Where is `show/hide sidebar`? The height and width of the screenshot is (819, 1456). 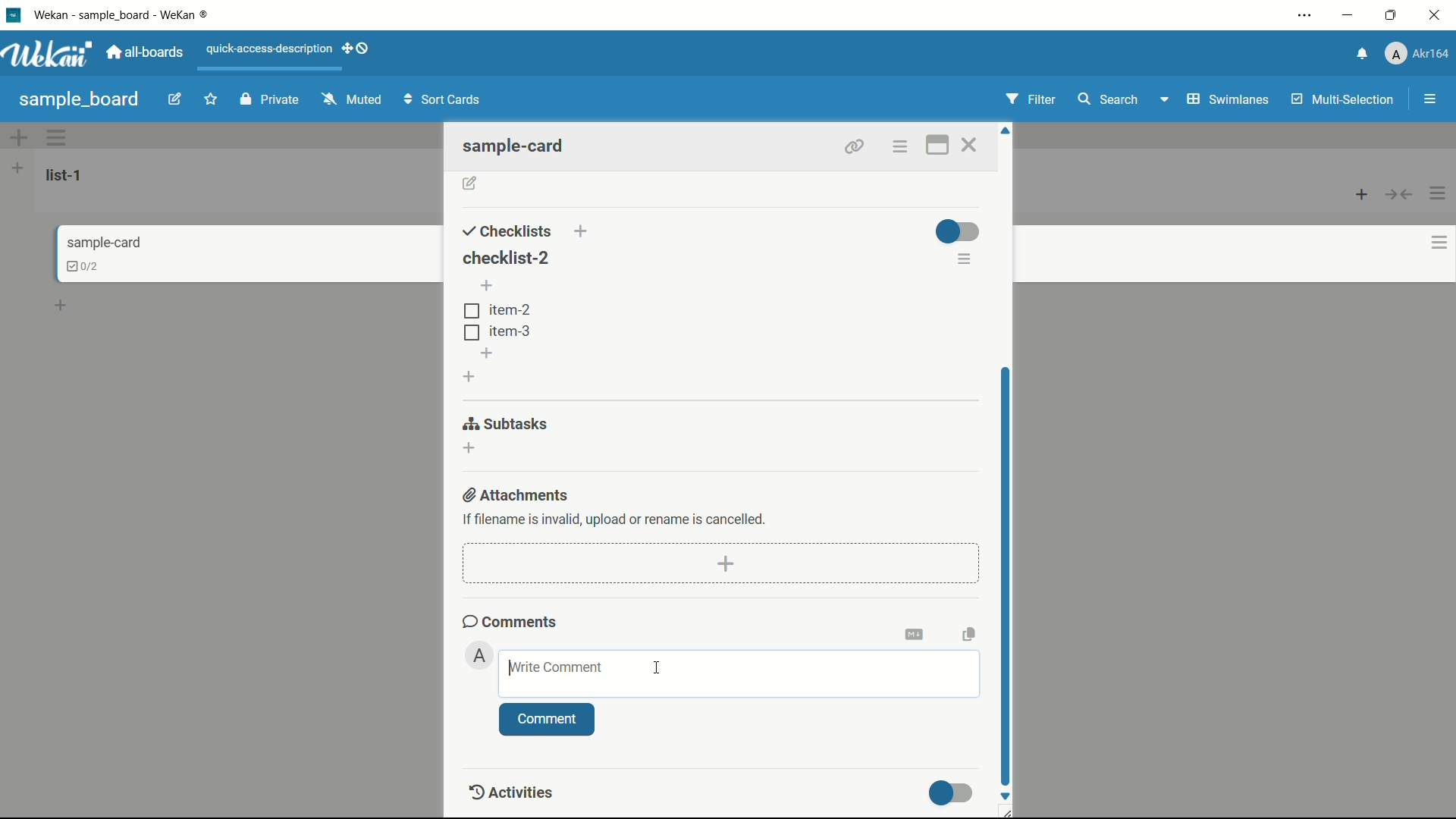 show/hide sidebar is located at coordinates (1429, 99).